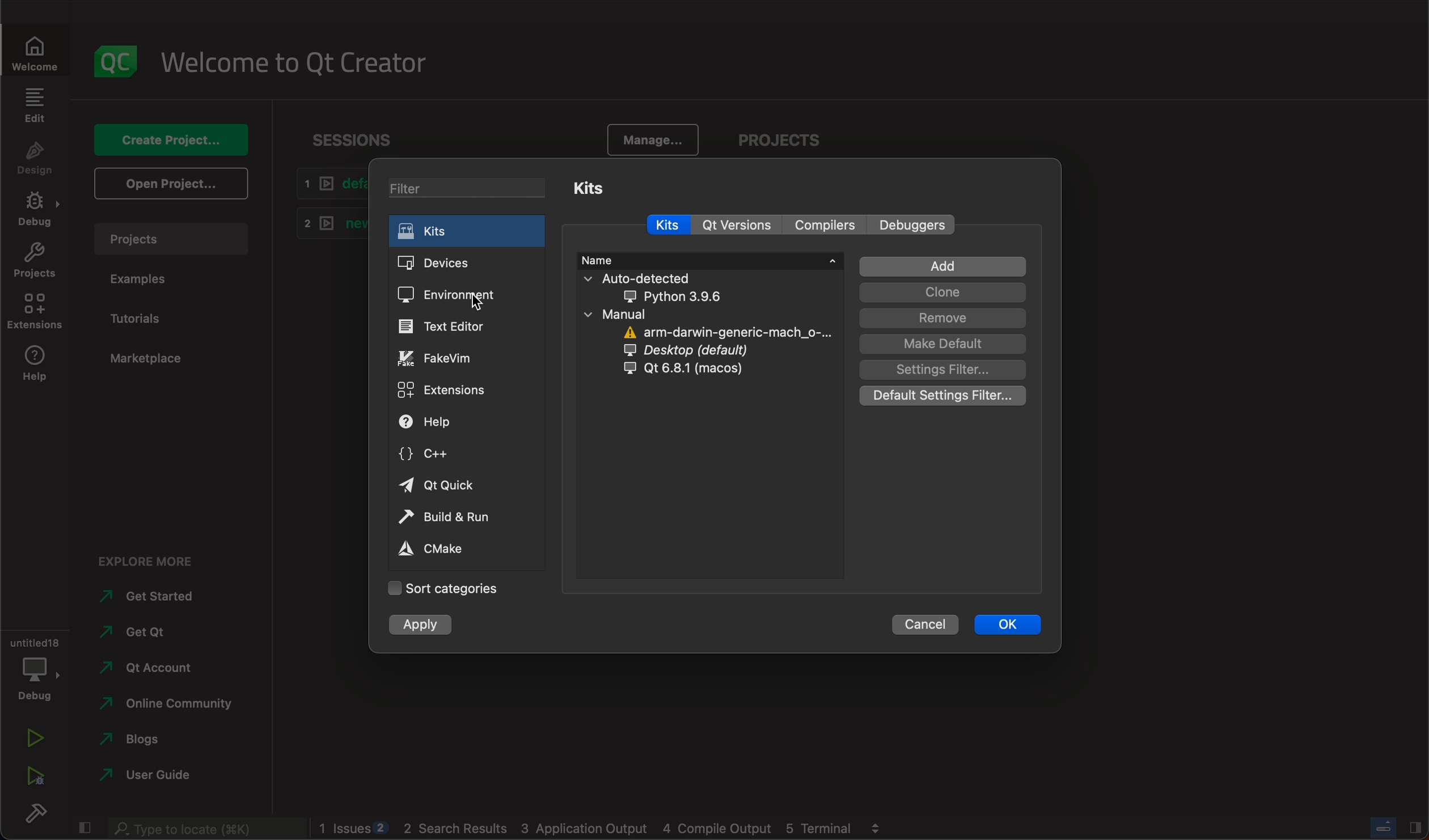 The height and width of the screenshot is (840, 1429). What do you see at coordinates (32, 740) in the screenshot?
I see `run` at bounding box center [32, 740].